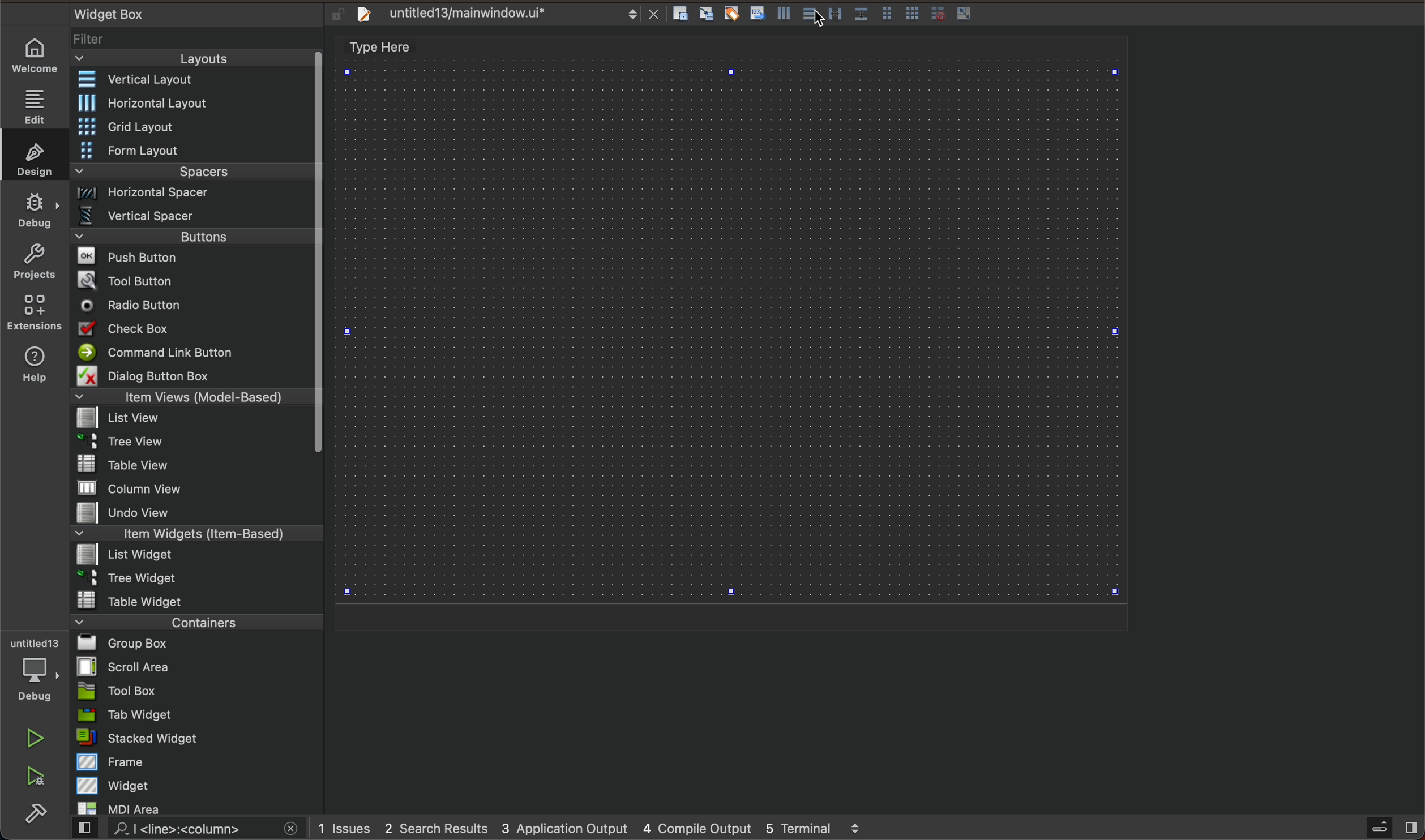  What do you see at coordinates (192, 534) in the screenshot?
I see `items widget` at bounding box center [192, 534].